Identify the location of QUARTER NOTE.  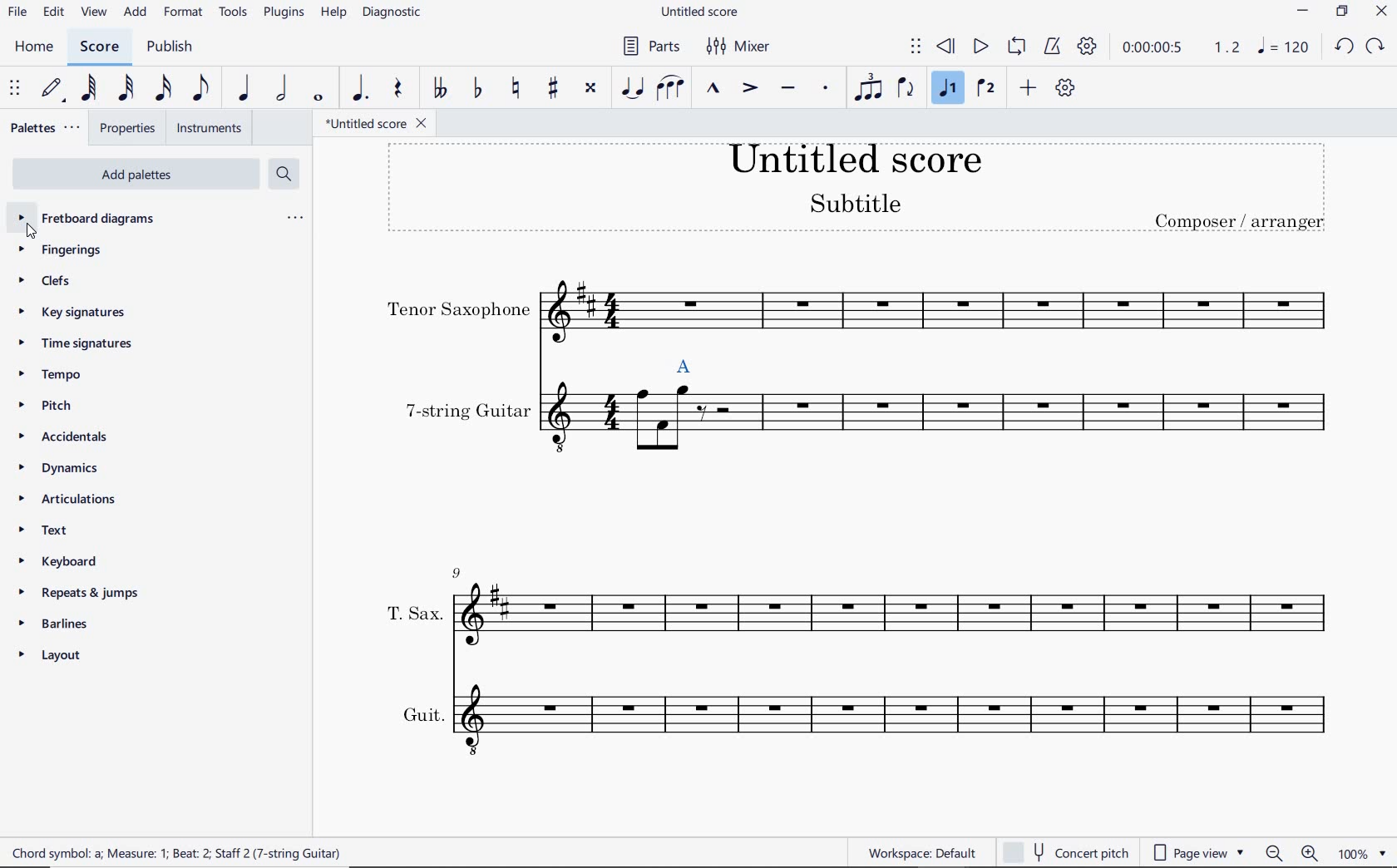
(241, 89).